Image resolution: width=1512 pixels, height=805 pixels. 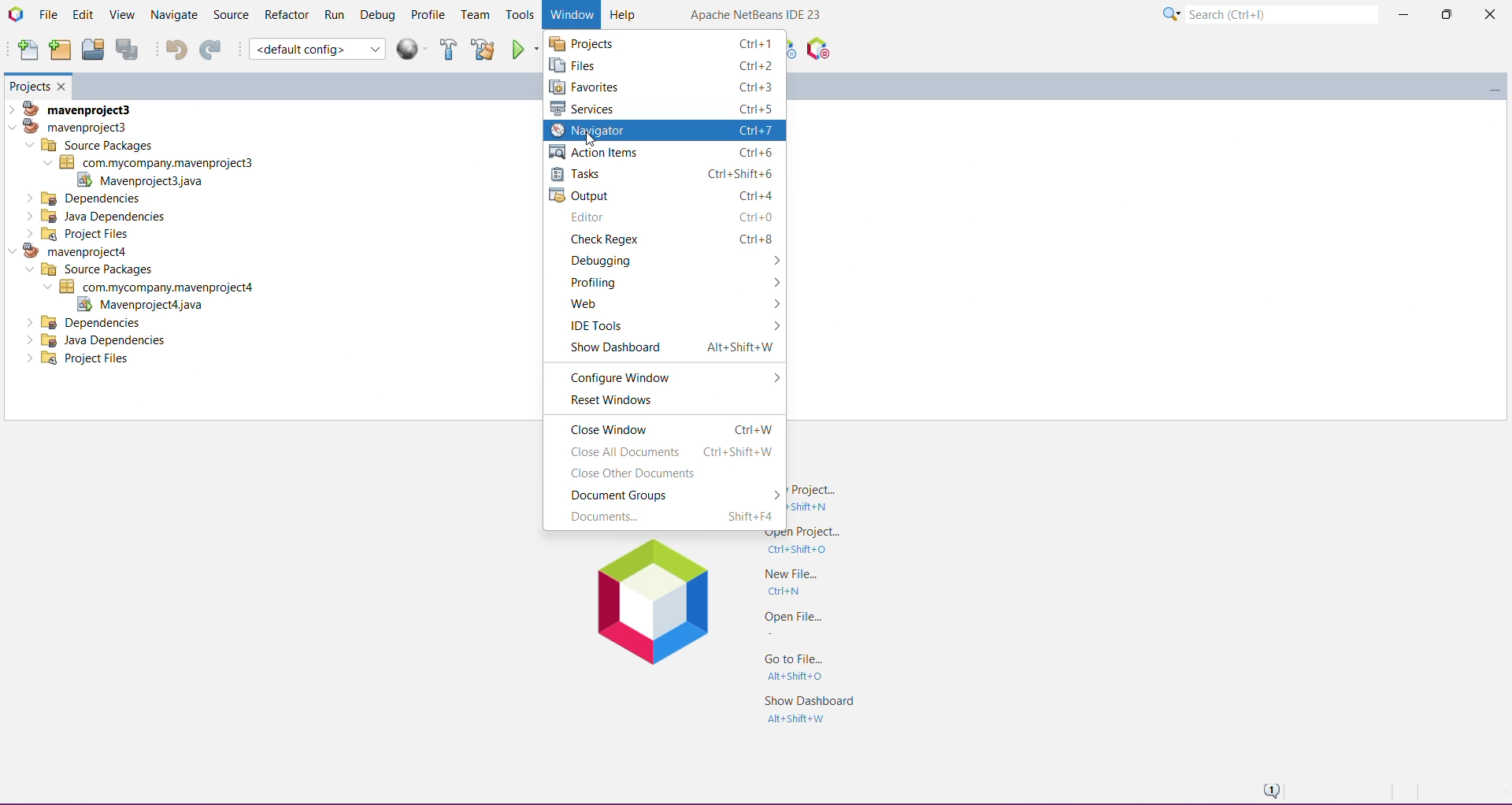 What do you see at coordinates (483, 49) in the screenshot?
I see `Clean and Build Project` at bounding box center [483, 49].